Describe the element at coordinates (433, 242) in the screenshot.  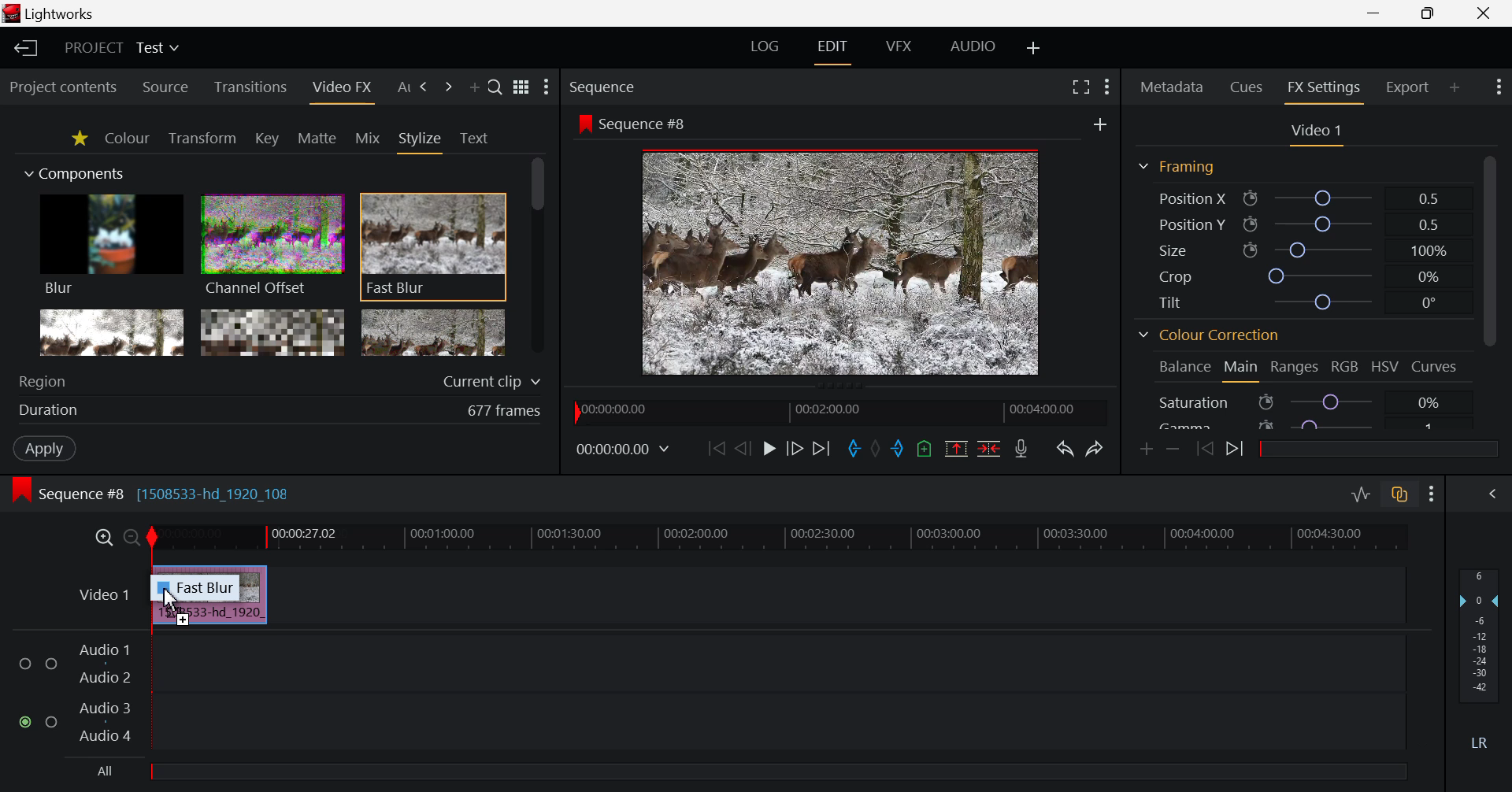
I see `Fast Blur` at that location.